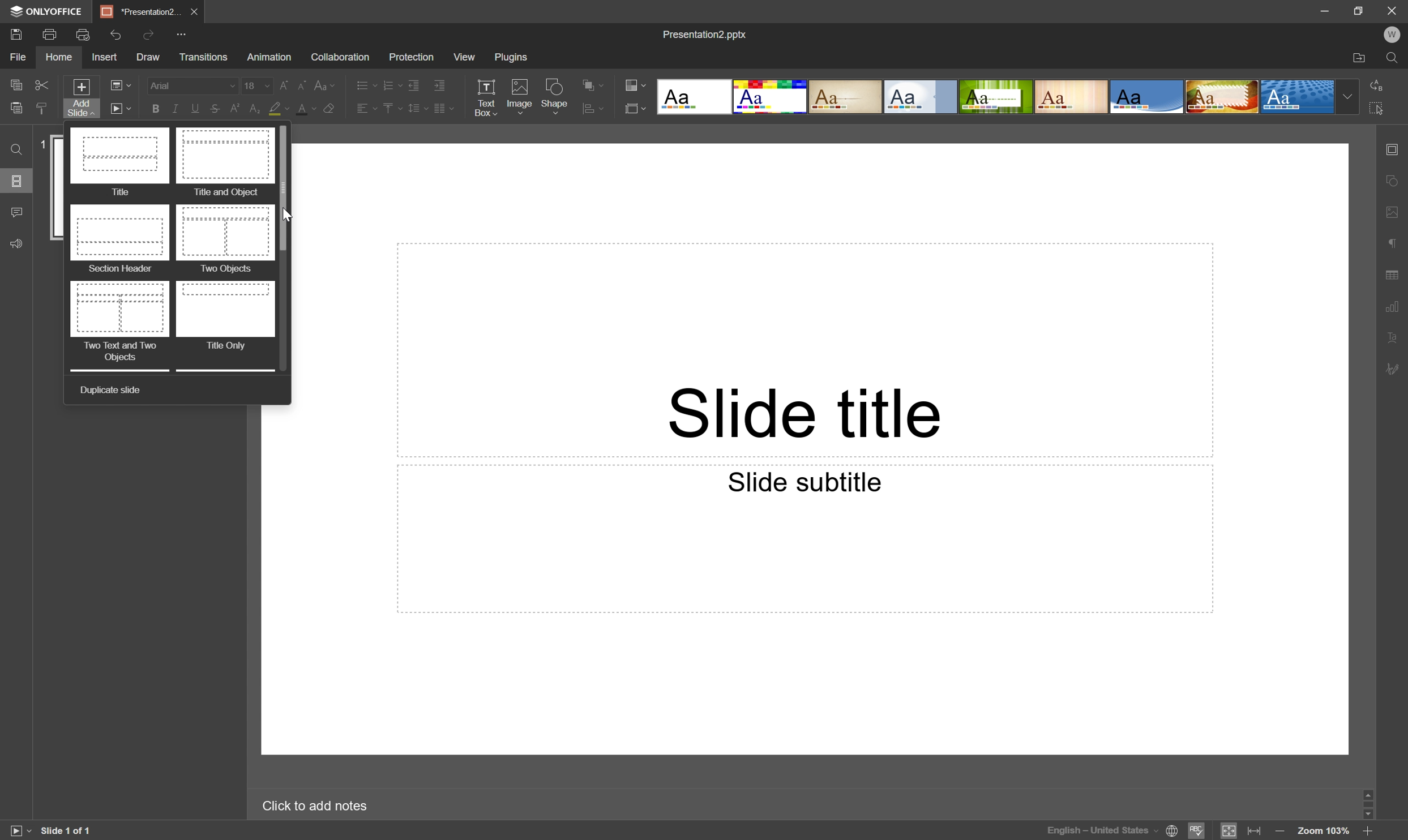 This screenshot has height=840, width=1408. I want to click on Copy, so click(18, 84).